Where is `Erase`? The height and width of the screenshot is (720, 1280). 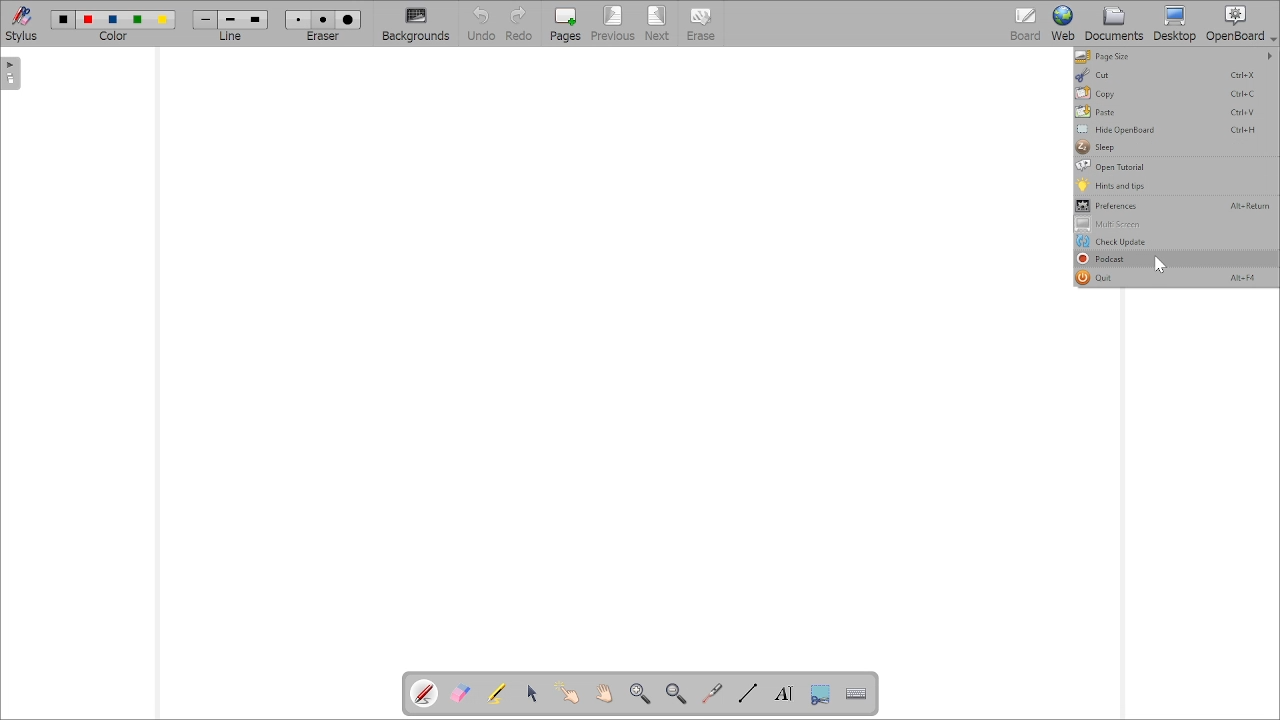 Erase is located at coordinates (709, 24).